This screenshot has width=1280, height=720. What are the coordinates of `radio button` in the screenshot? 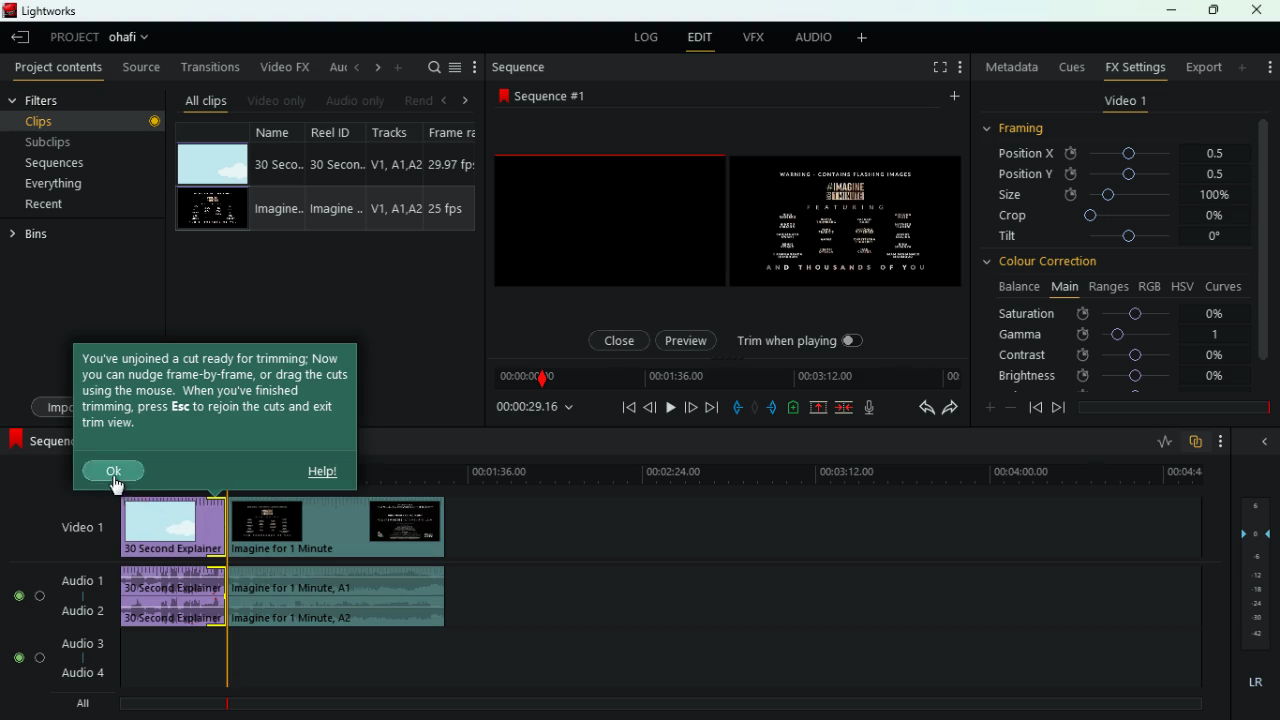 It's located at (25, 621).